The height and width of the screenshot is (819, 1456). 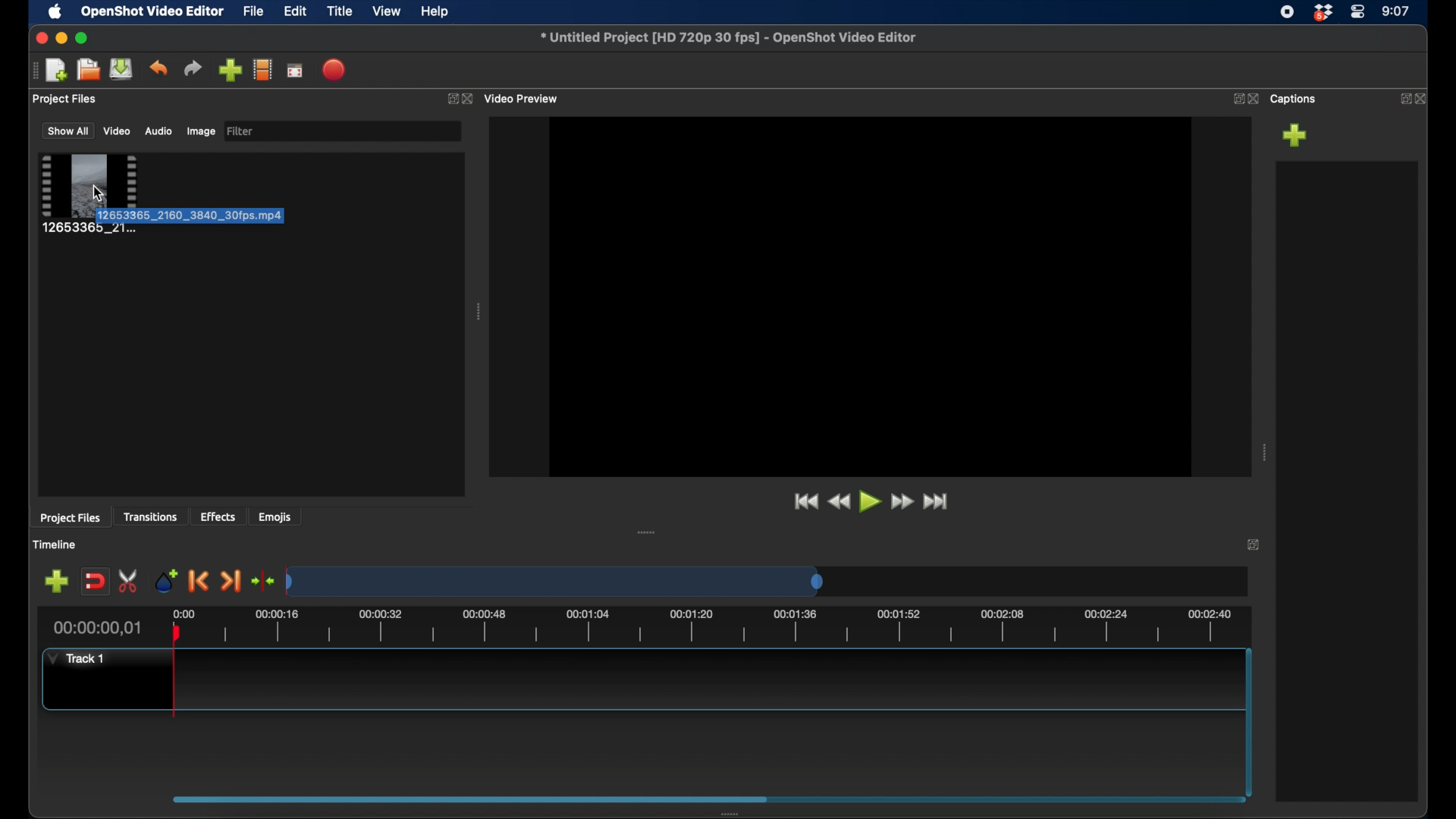 What do you see at coordinates (39, 38) in the screenshot?
I see `close` at bounding box center [39, 38].